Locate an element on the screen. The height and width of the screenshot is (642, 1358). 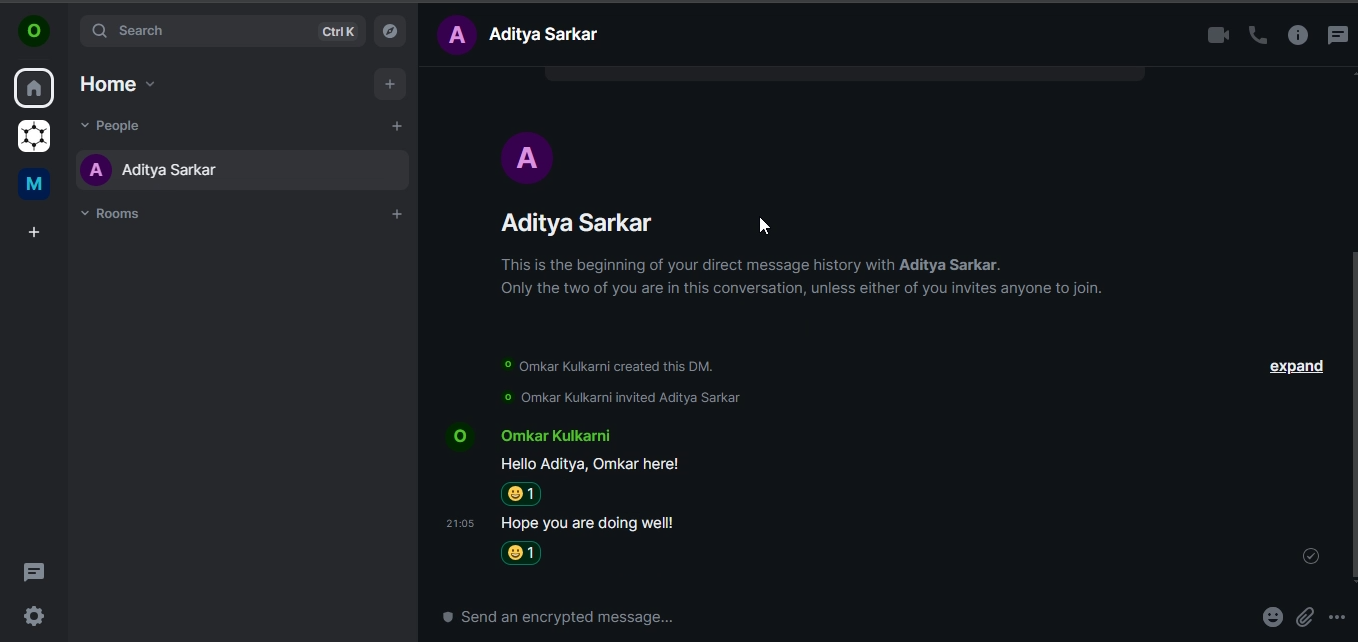
time is located at coordinates (461, 525).